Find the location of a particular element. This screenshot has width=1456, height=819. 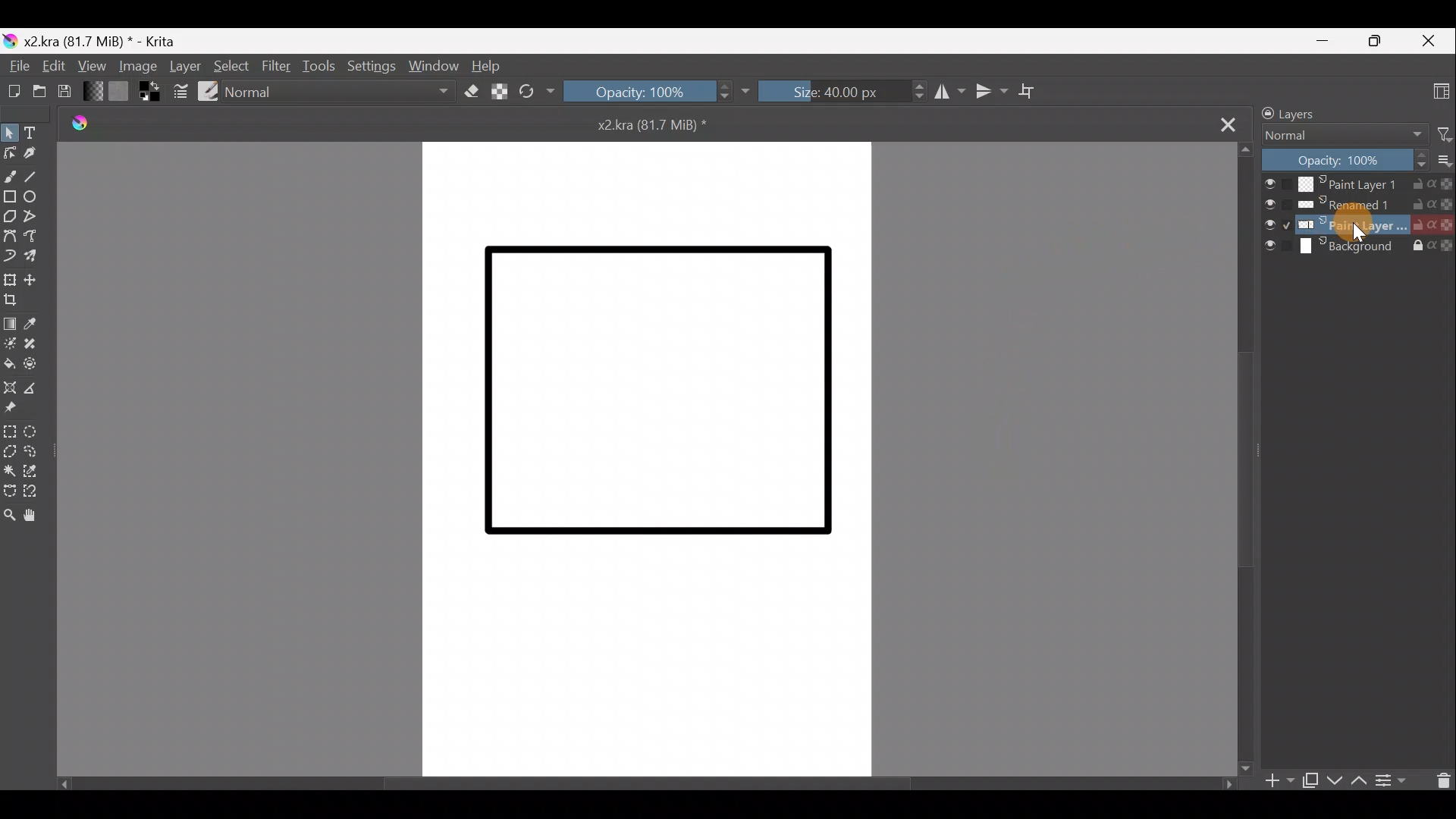

Freehand brush tool is located at coordinates (10, 174).